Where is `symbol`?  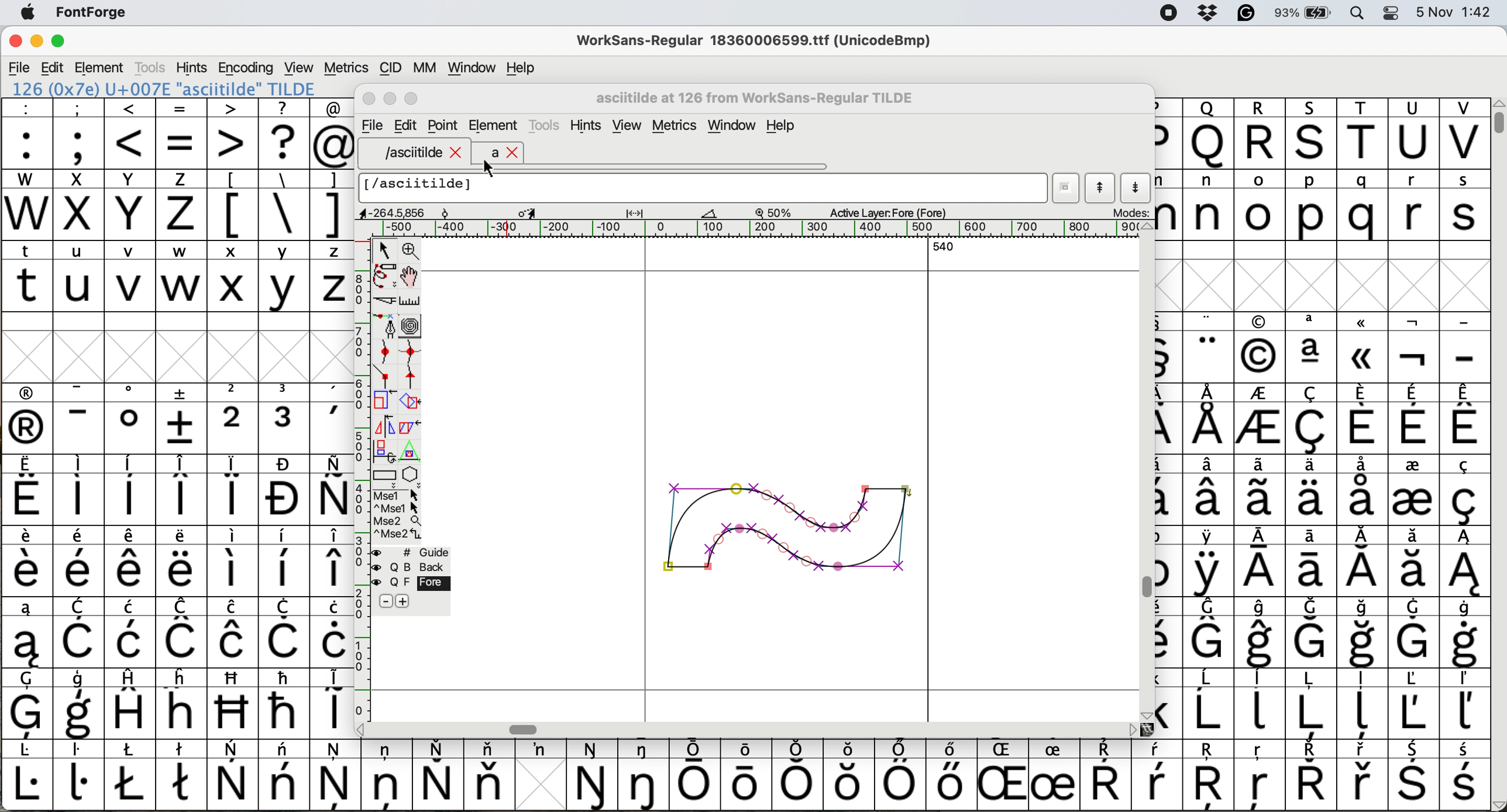 symbol is located at coordinates (286, 418).